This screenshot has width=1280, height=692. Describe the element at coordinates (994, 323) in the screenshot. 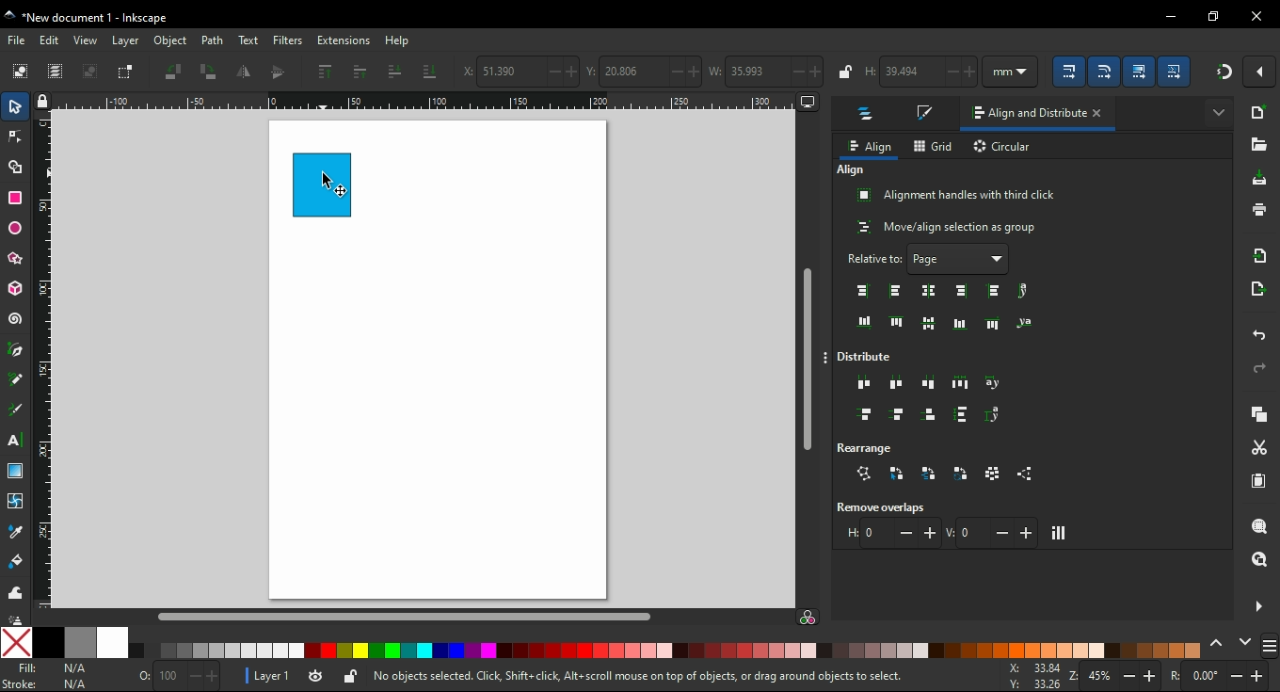

I see `align top edge of objects to bottom edge of anchor` at that location.